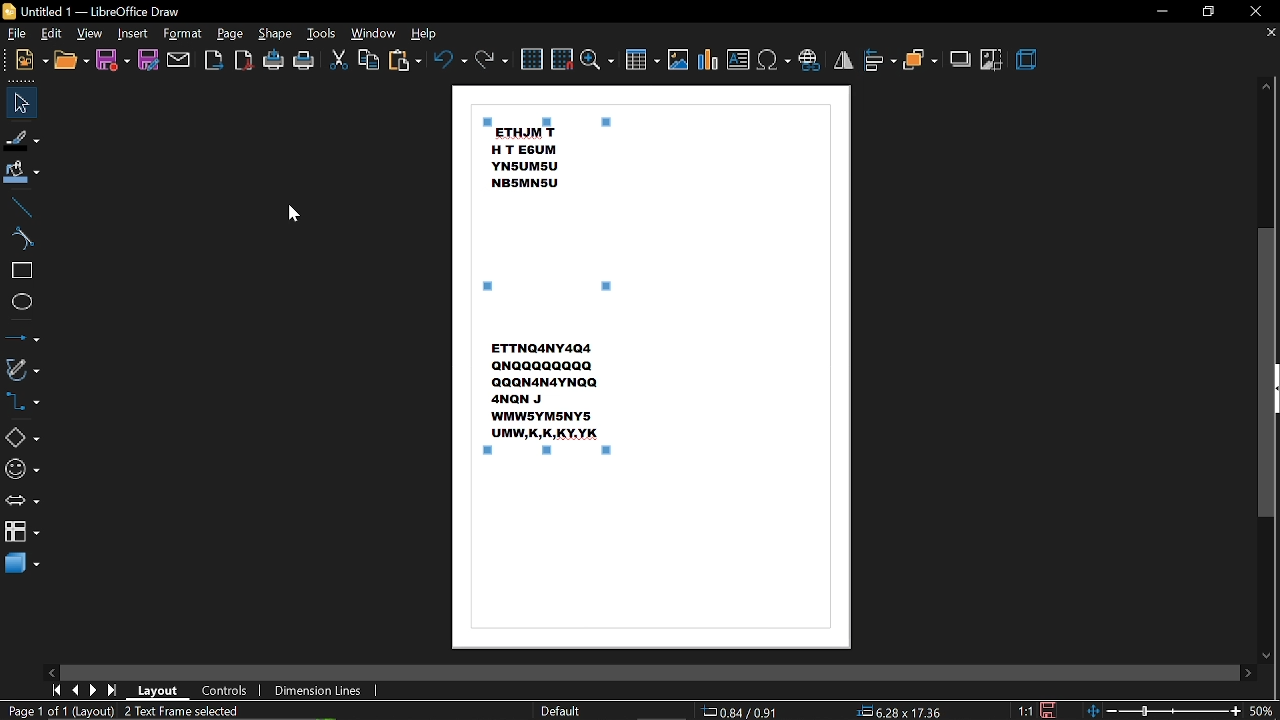  What do you see at coordinates (192, 711) in the screenshot?
I see `2 text frame selected` at bounding box center [192, 711].